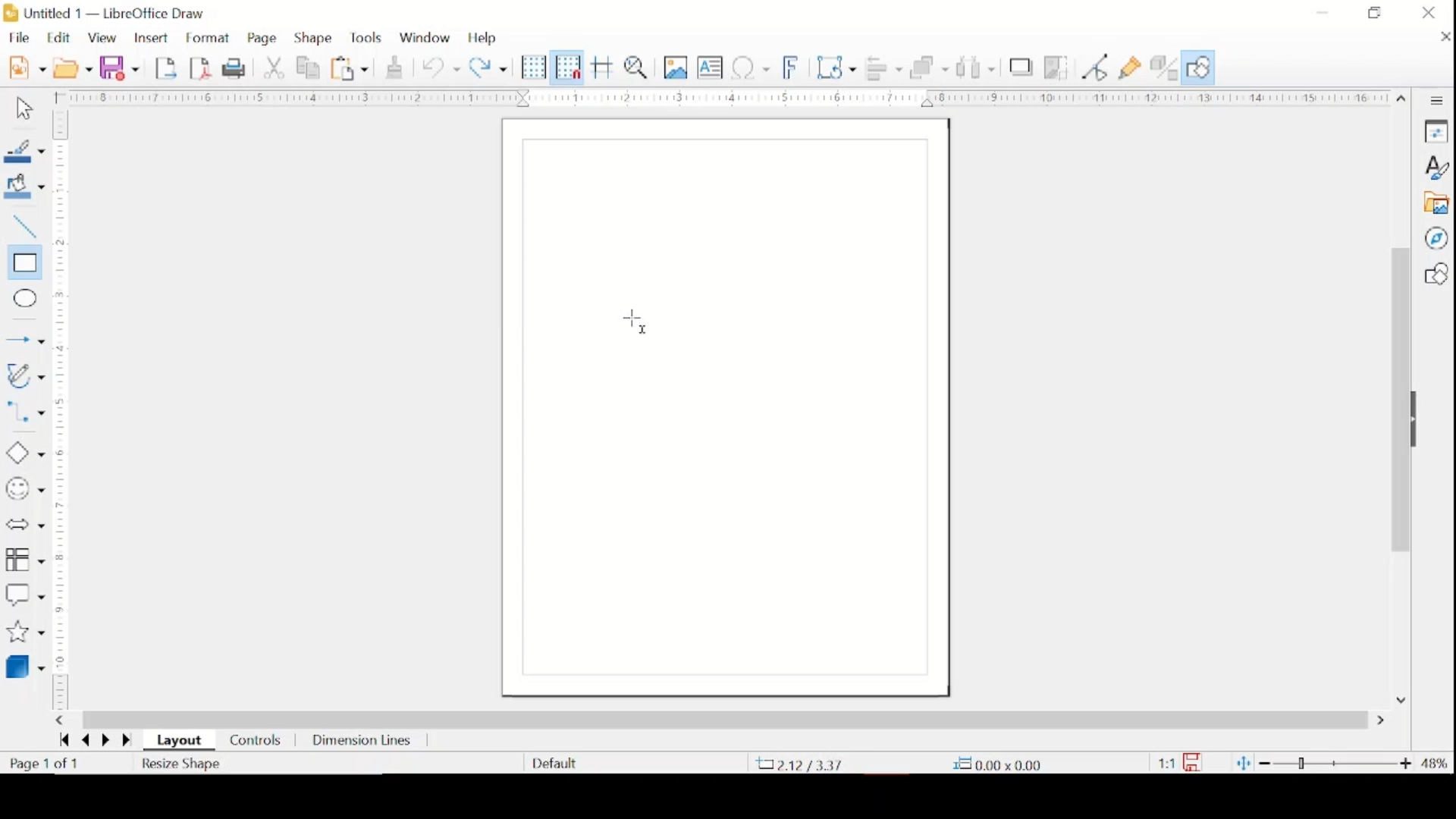 The width and height of the screenshot is (1456, 819). I want to click on fit to current window, so click(1242, 763).